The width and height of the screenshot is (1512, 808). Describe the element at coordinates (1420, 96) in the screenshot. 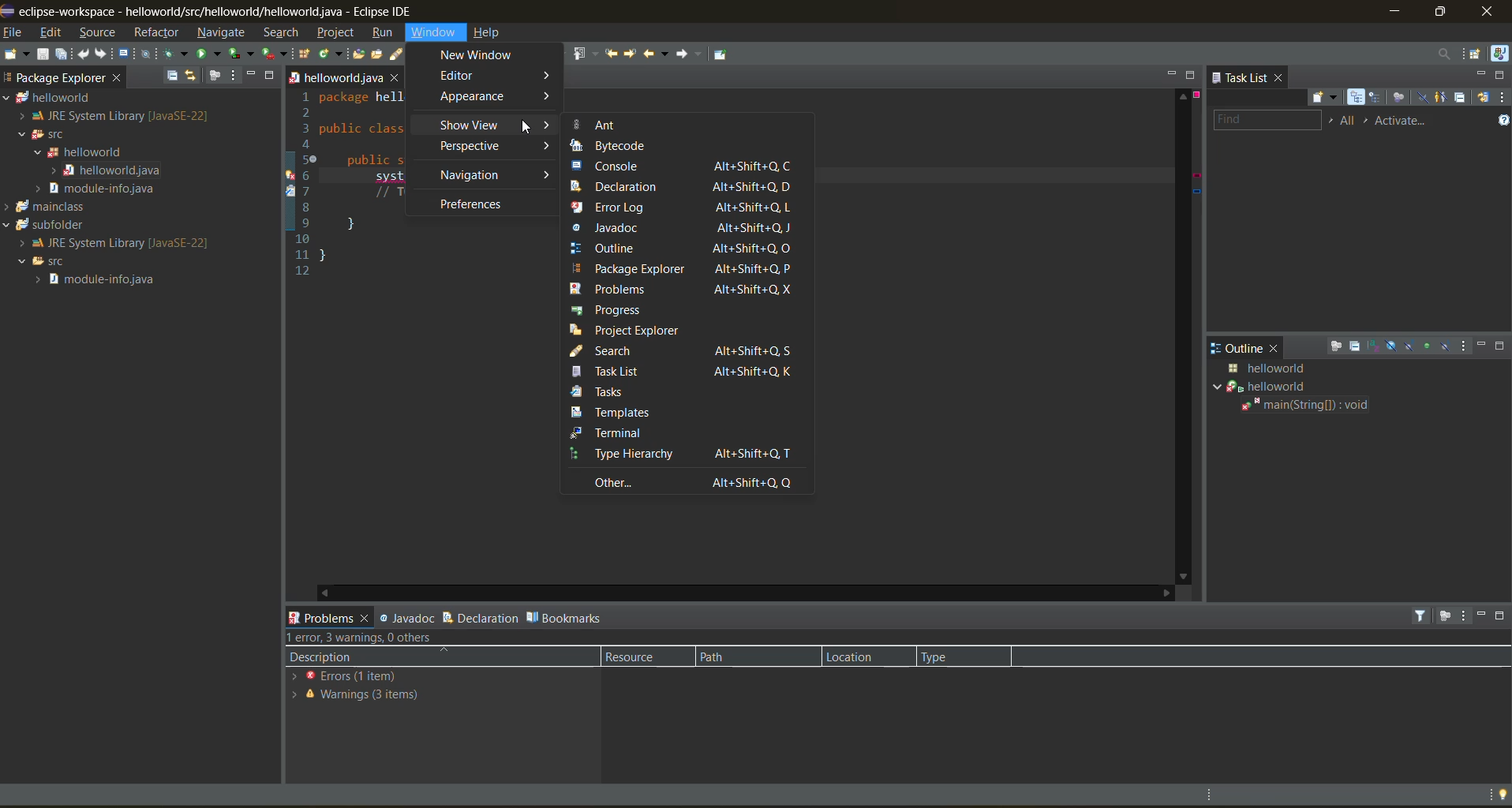

I see `hide completed tasks` at that location.